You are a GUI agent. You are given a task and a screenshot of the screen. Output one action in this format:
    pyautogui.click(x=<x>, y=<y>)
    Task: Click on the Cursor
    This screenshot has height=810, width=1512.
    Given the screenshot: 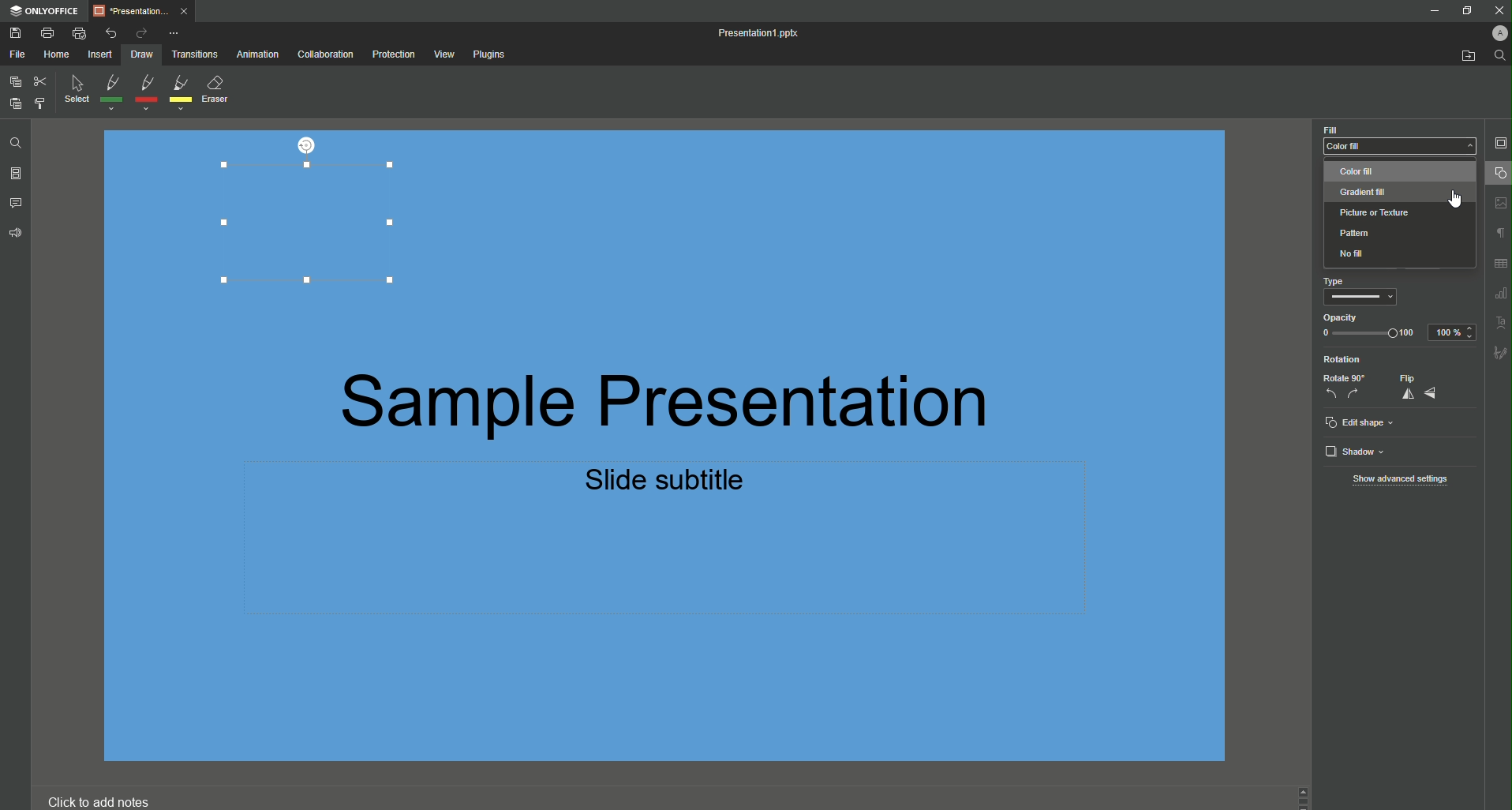 What is the action you would take?
    pyautogui.click(x=1458, y=200)
    